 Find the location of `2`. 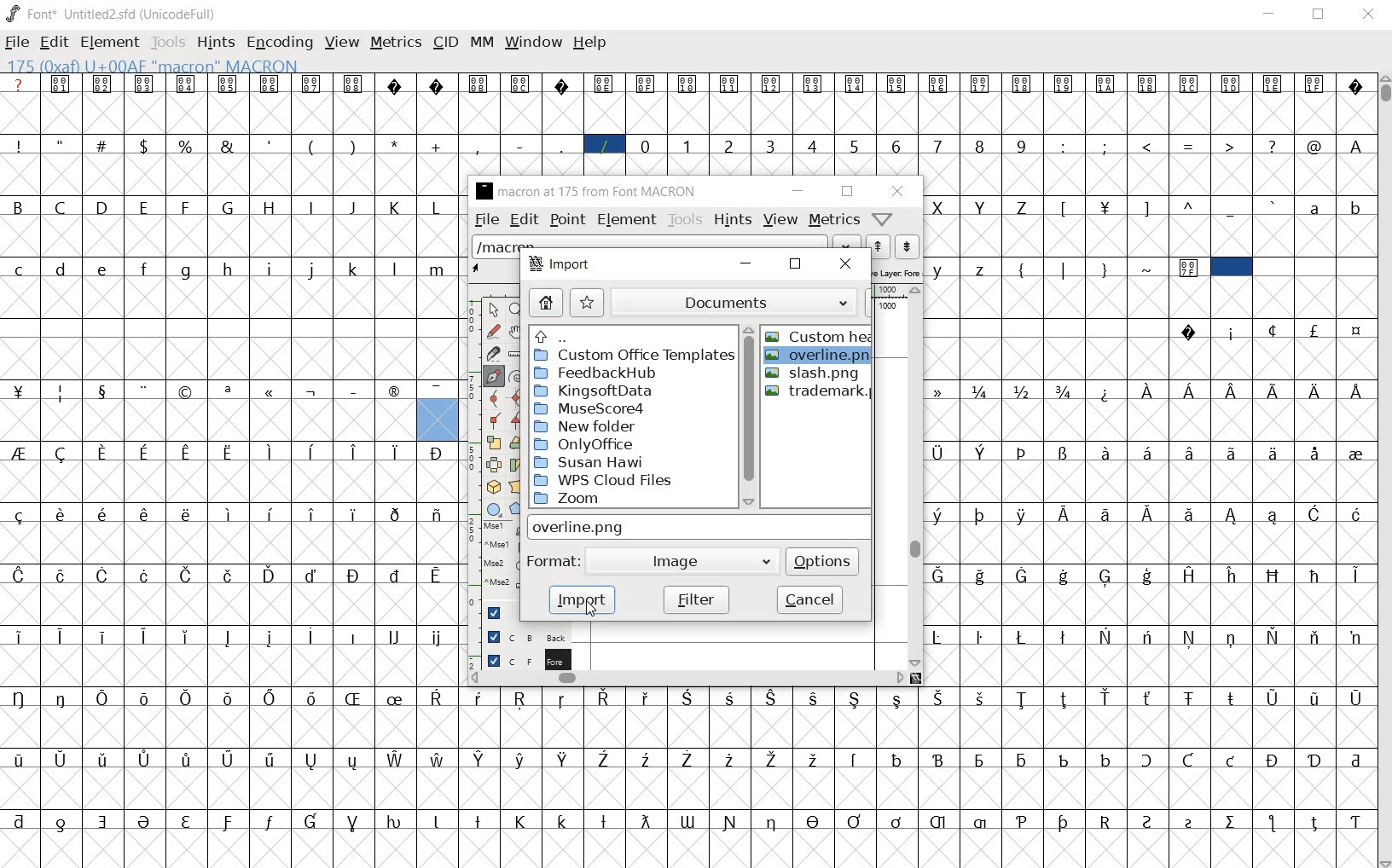

2 is located at coordinates (731, 146).